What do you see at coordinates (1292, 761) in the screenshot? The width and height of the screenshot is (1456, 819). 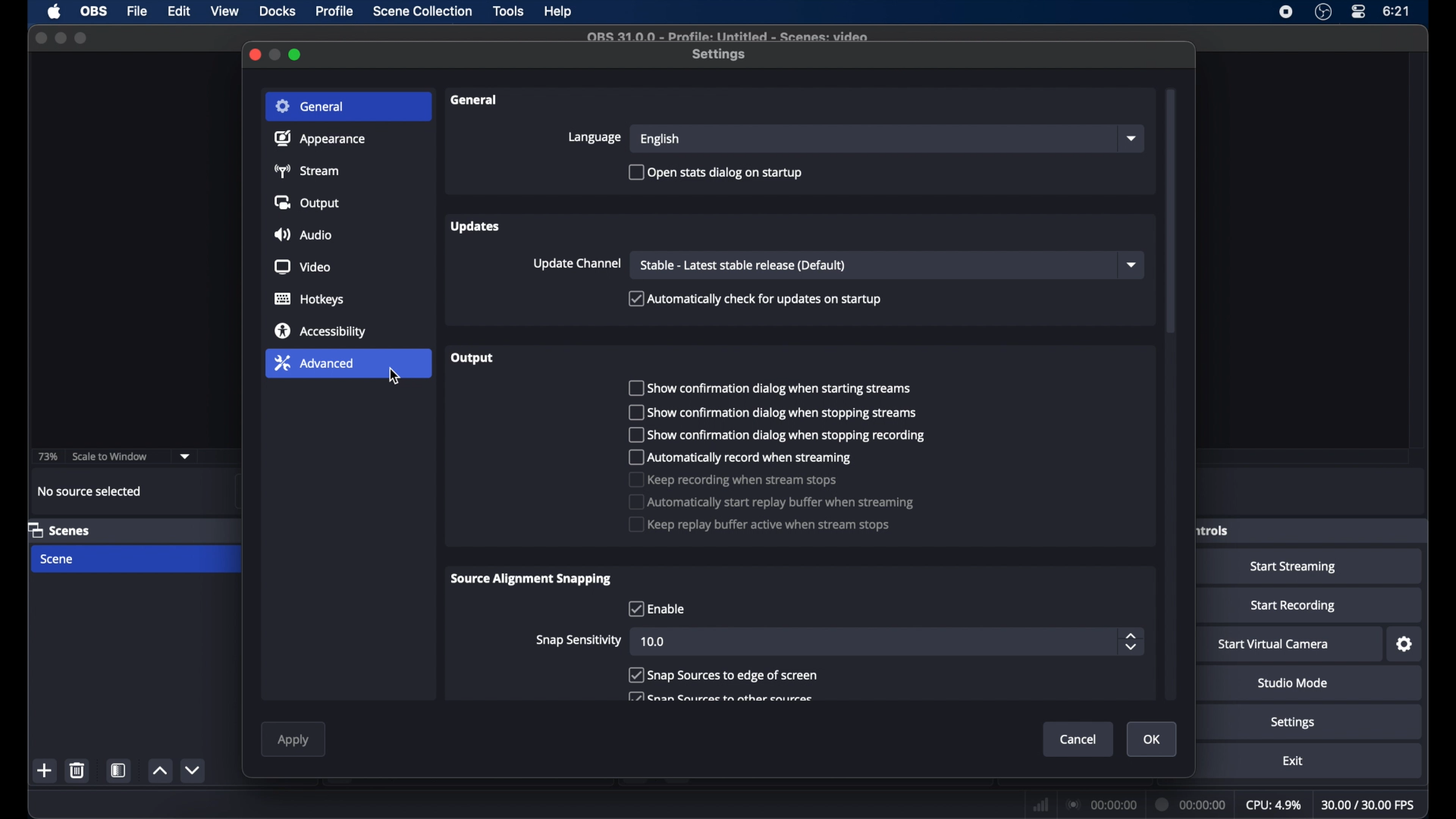 I see `exit` at bounding box center [1292, 761].